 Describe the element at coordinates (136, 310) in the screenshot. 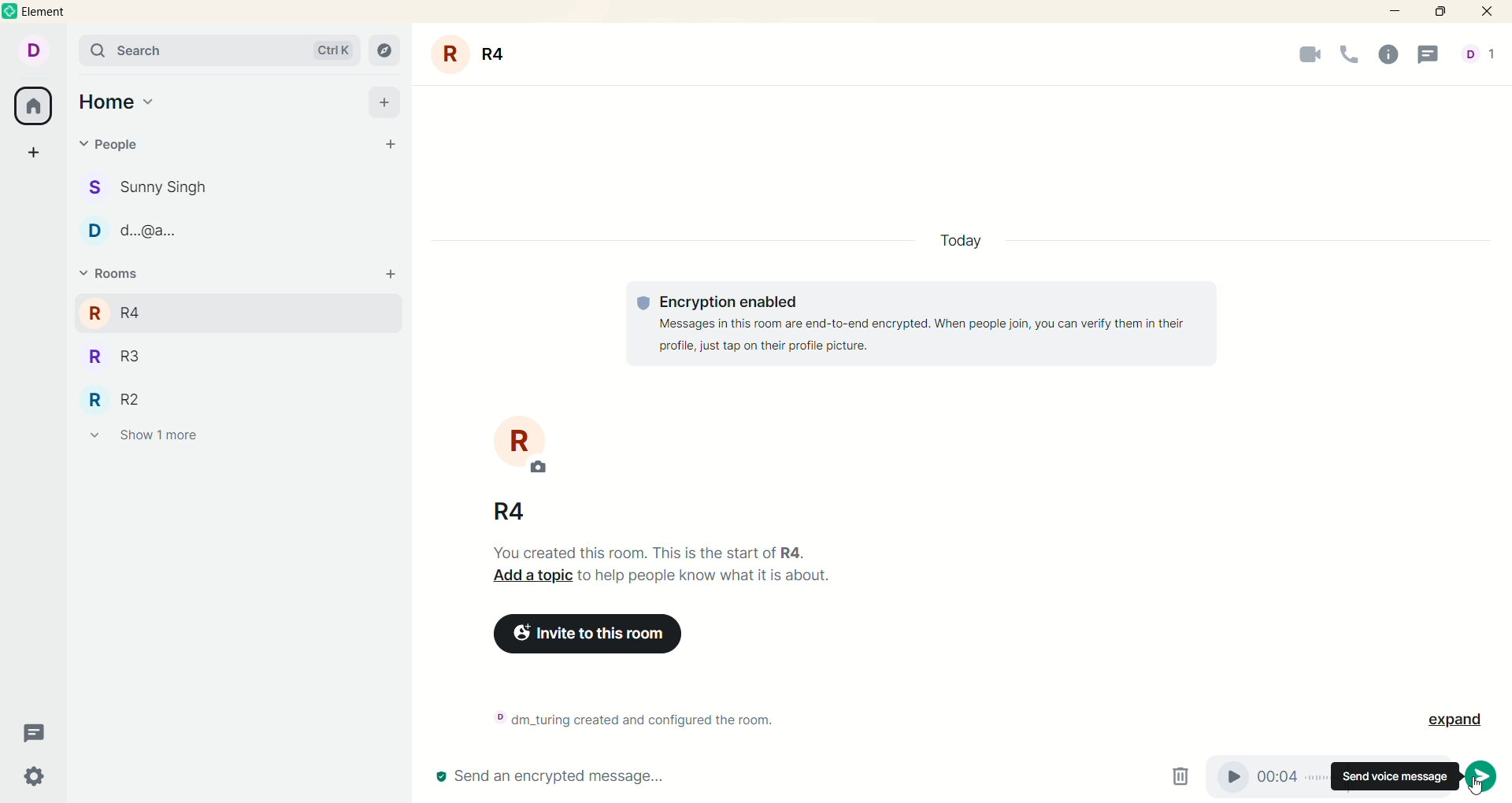

I see `R4` at that location.